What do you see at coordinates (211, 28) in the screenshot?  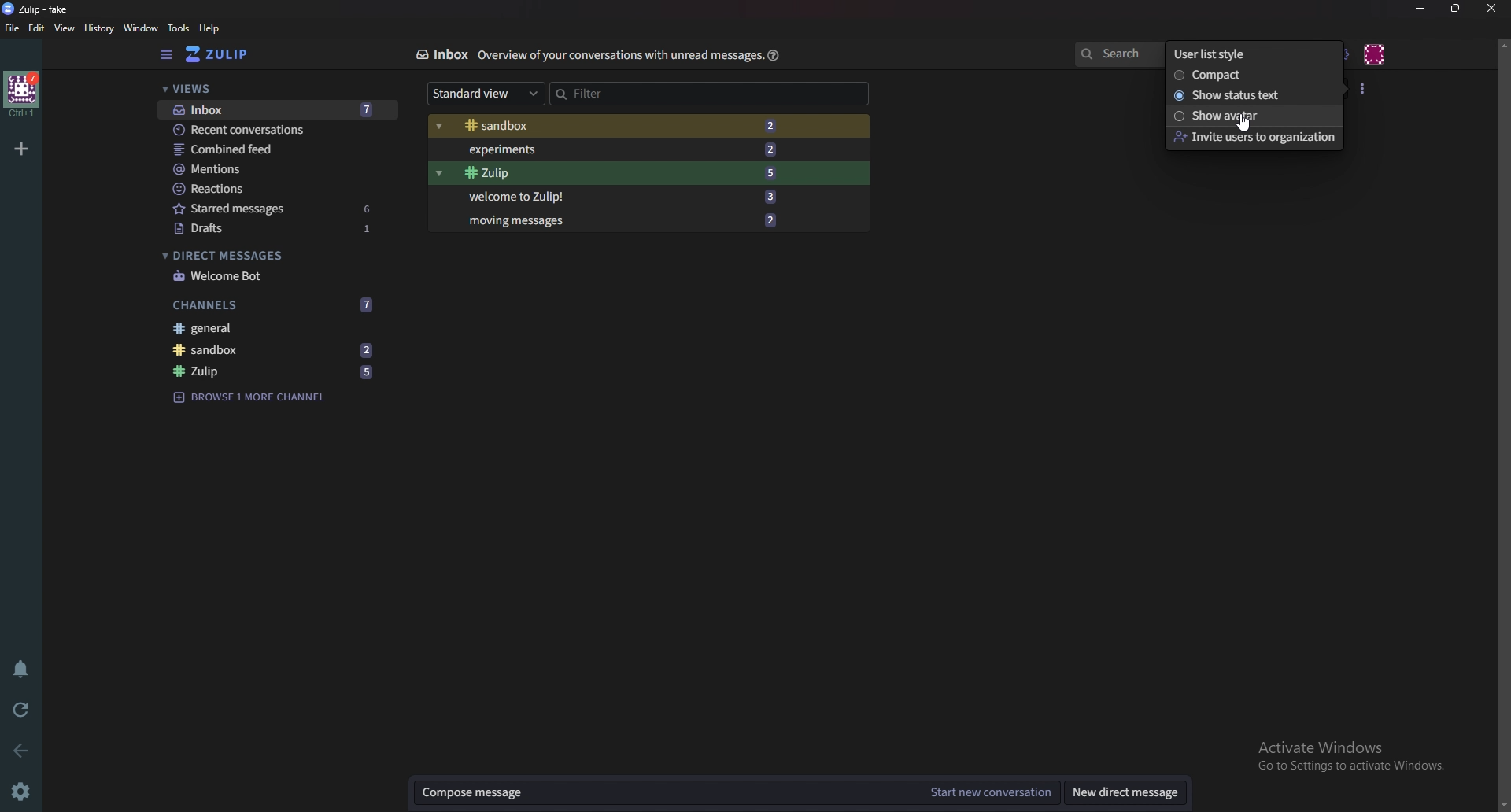 I see `help` at bounding box center [211, 28].